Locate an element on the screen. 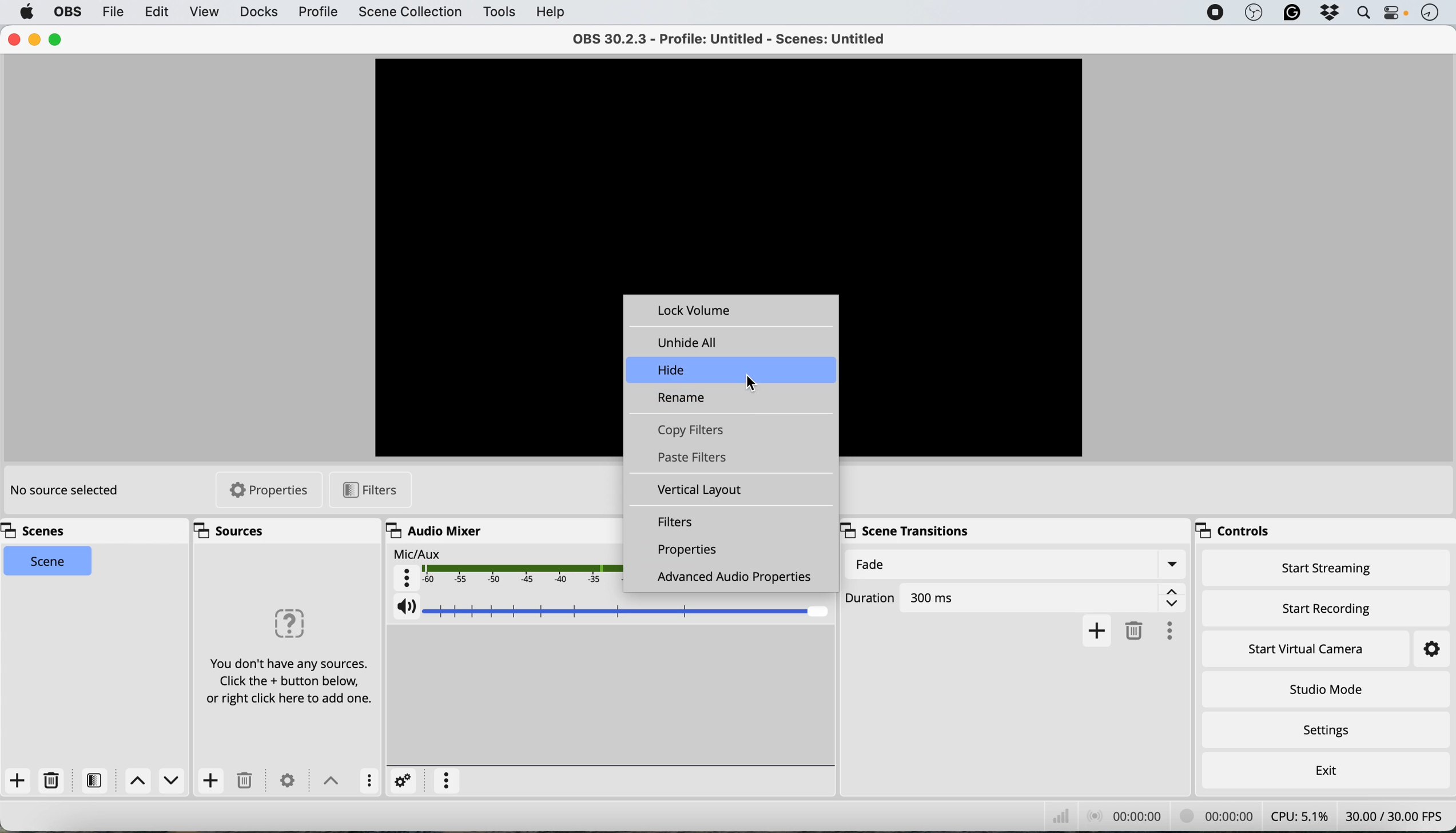 The image size is (1456, 833). more options is located at coordinates (369, 782).